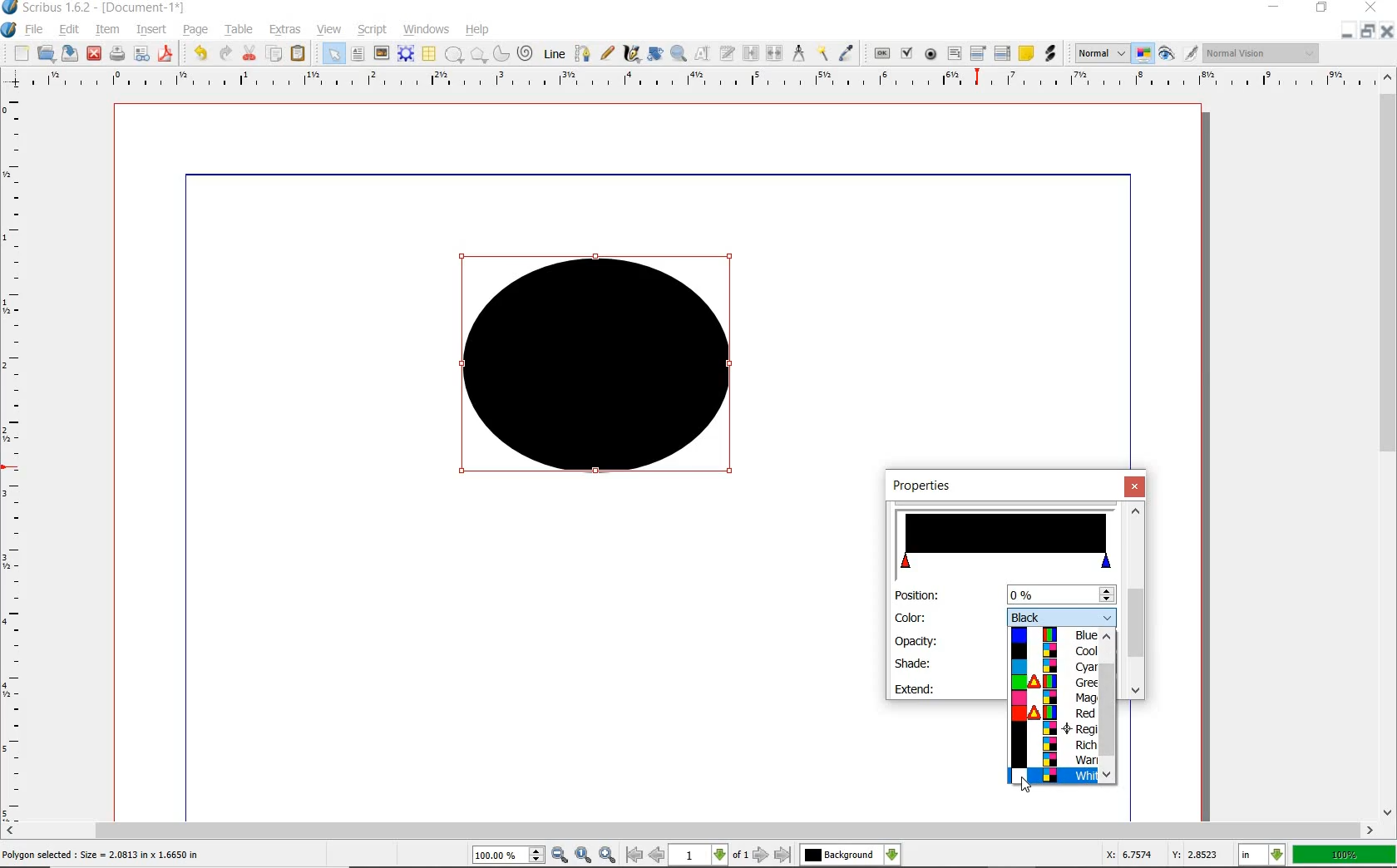 Image resolution: width=1397 pixels, height=868 pixels. I want to click on TEXT FRAME, so click(358, 53).